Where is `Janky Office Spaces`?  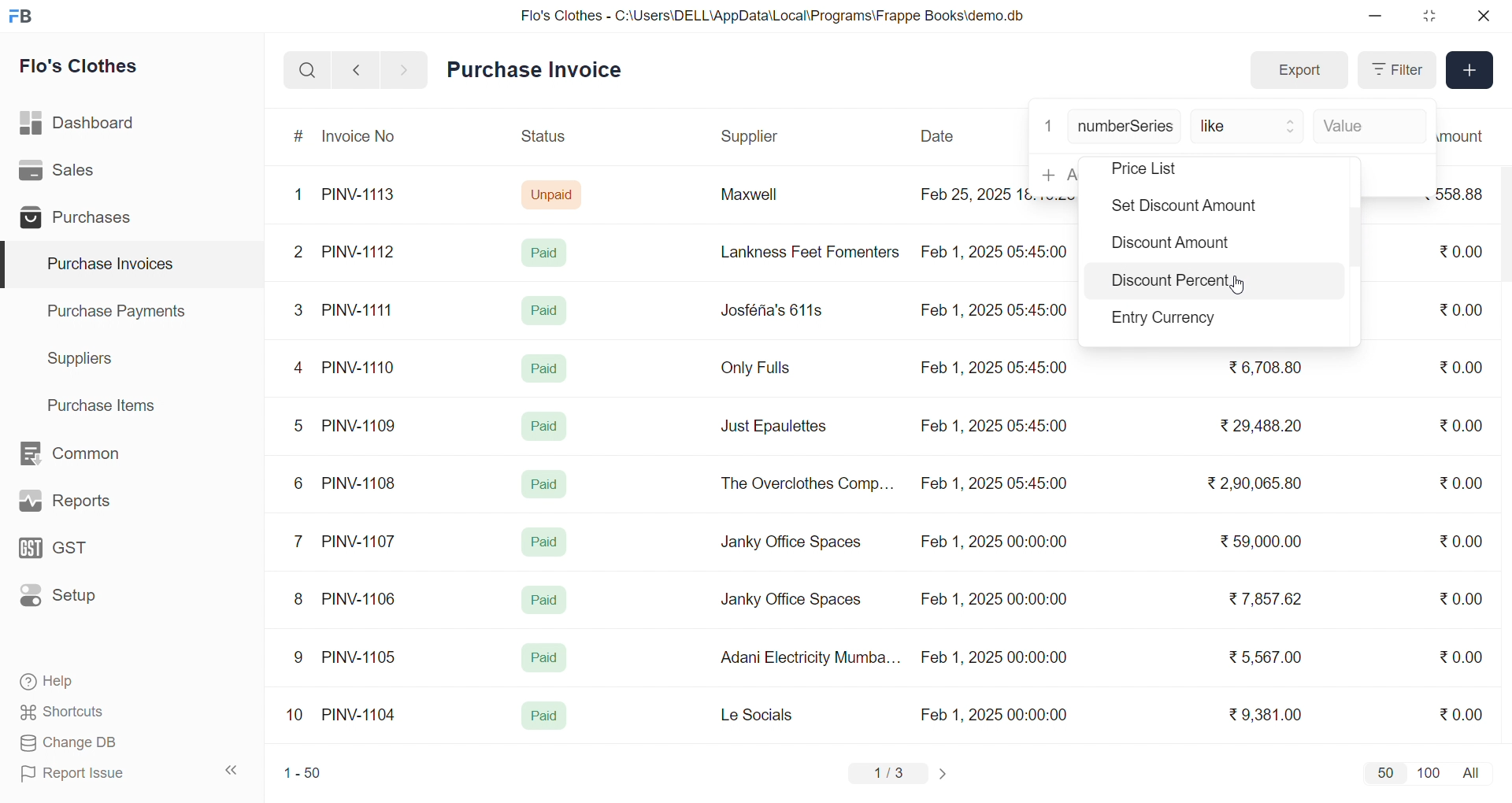 Janky Office Spaces is located at coordinates (791, 601).